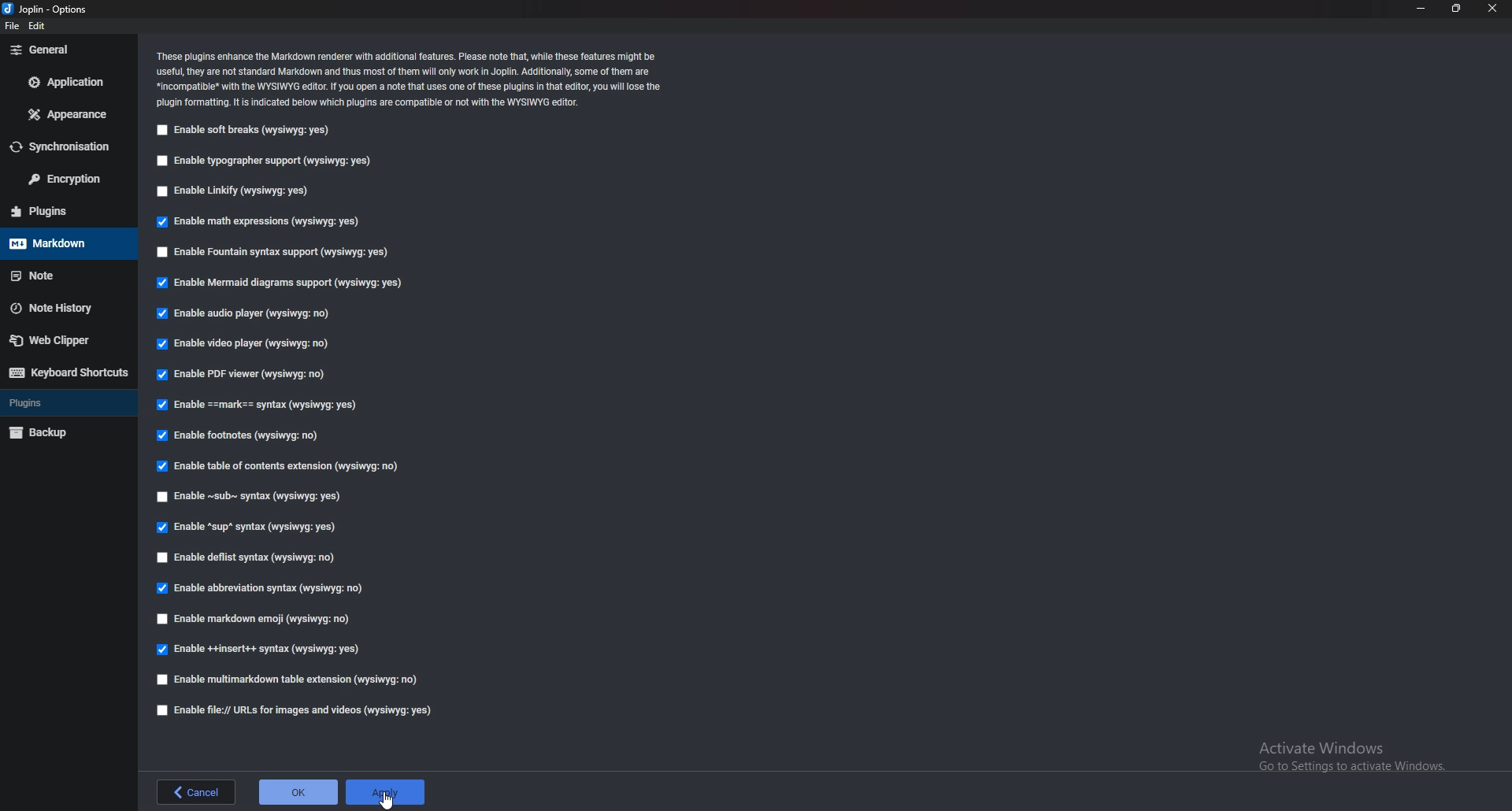 The height and width of the screenshot is (811, 1512). What do you see at coordinates (260, 620) in the screenshot?
I see `enable Markdown Emoji` at bounding box center [260, 620].